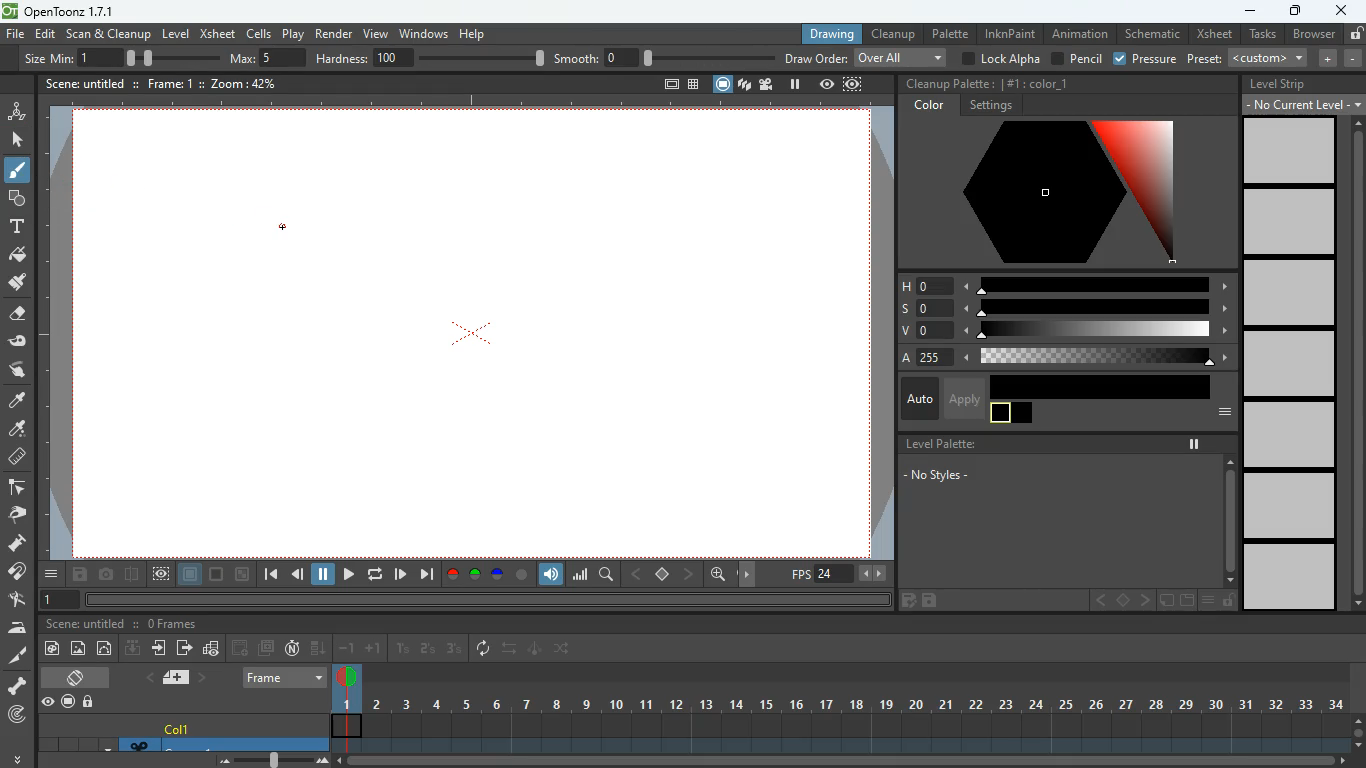 The width and height of the screenshot is (1366, 768). What do you see at coordinates (963, 398) in the screenshot?
I see `apply` at bounding box center [963, 398].